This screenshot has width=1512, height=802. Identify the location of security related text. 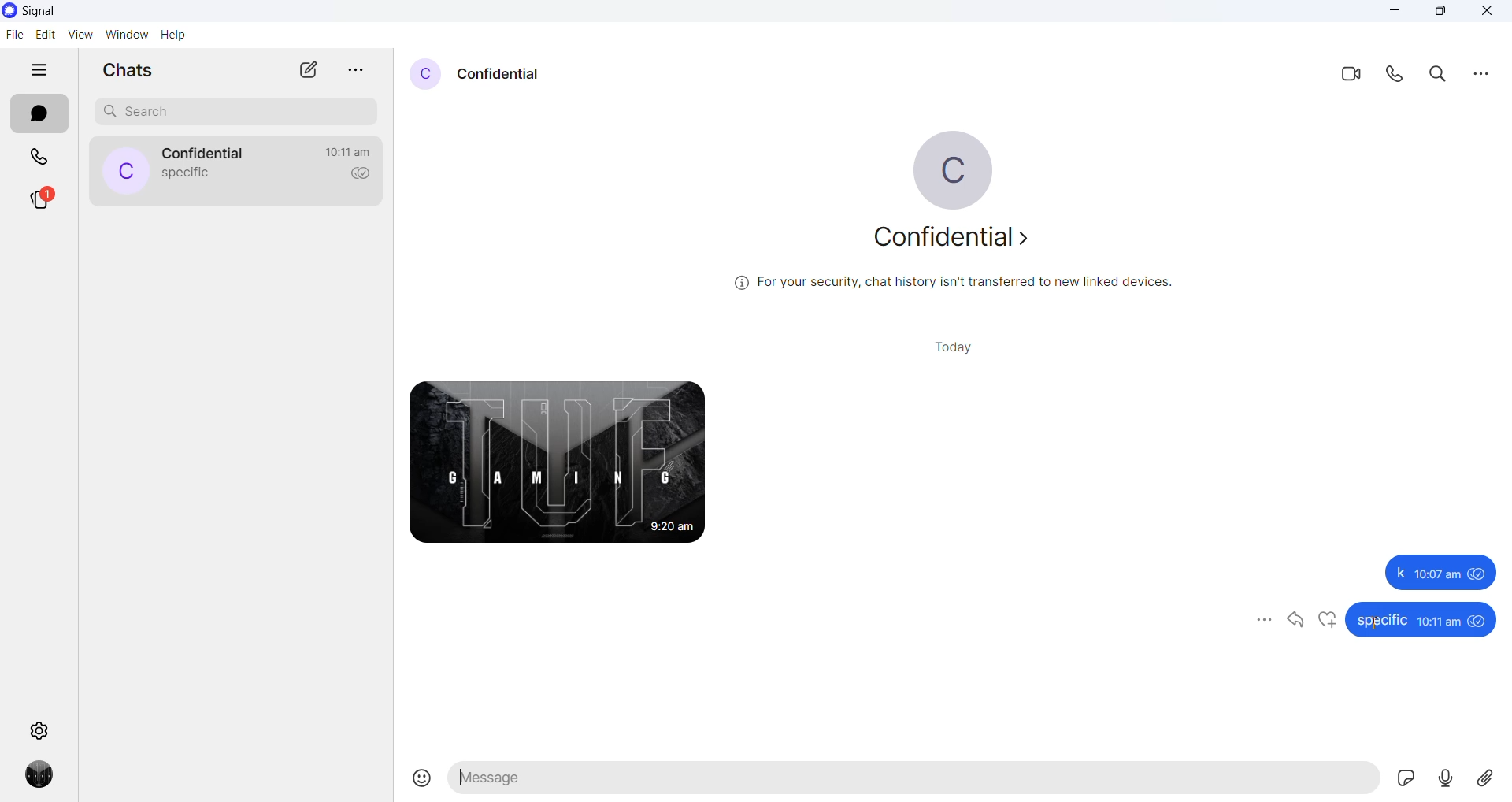
(957, 283).